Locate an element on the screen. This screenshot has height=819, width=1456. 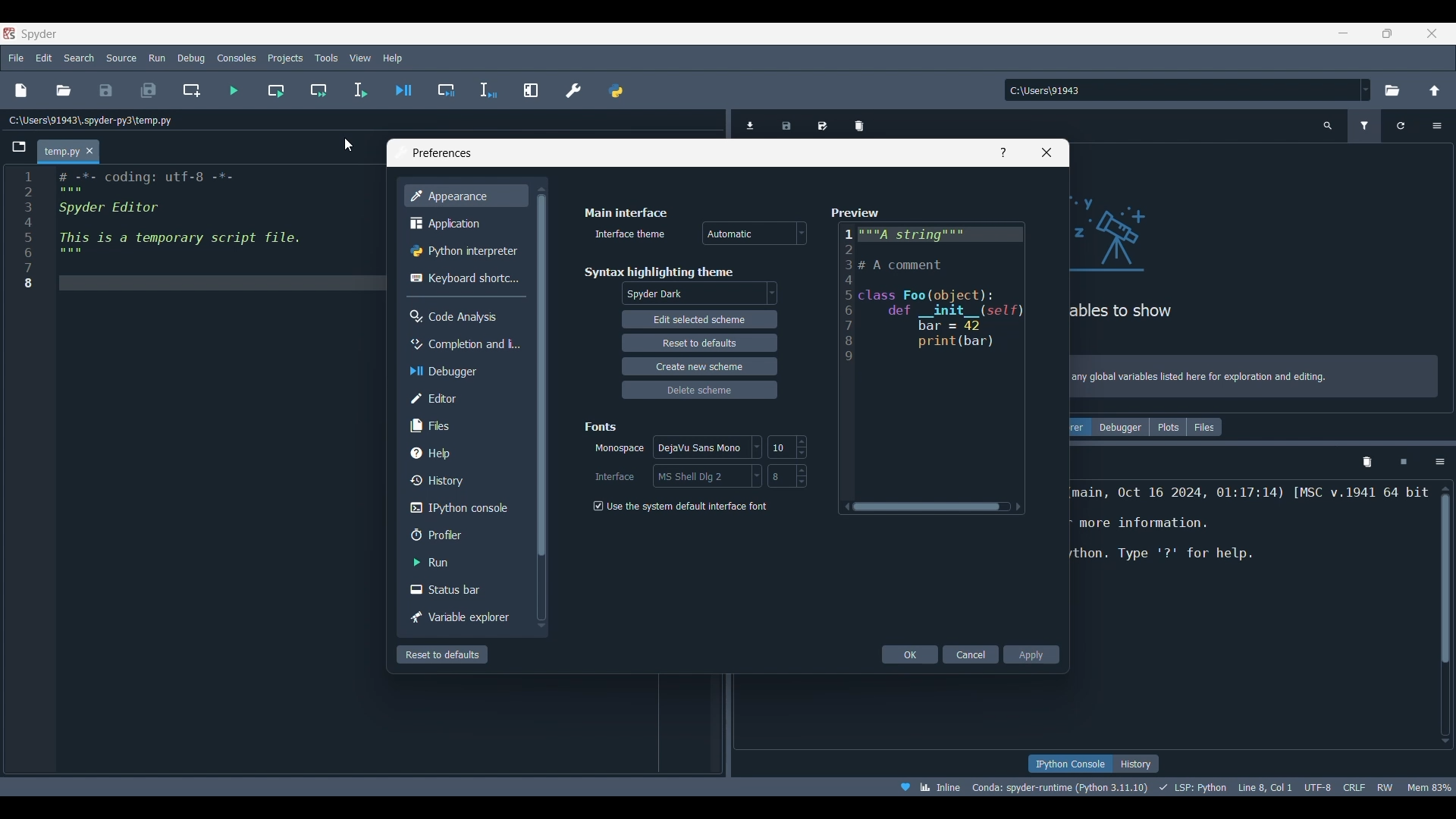
Import data is located at coordinates (750, 126).